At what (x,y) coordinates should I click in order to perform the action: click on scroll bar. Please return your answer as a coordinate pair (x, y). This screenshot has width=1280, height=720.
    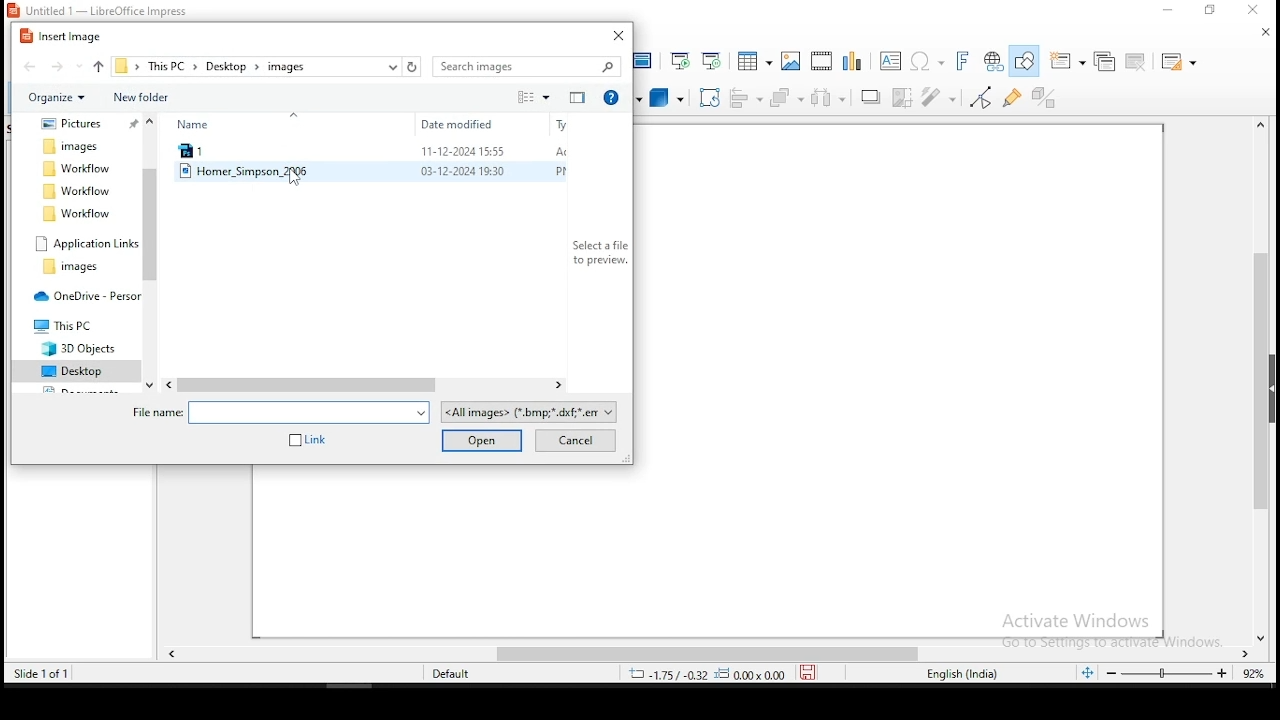
    Looking at the image, I should click on (321, 385).